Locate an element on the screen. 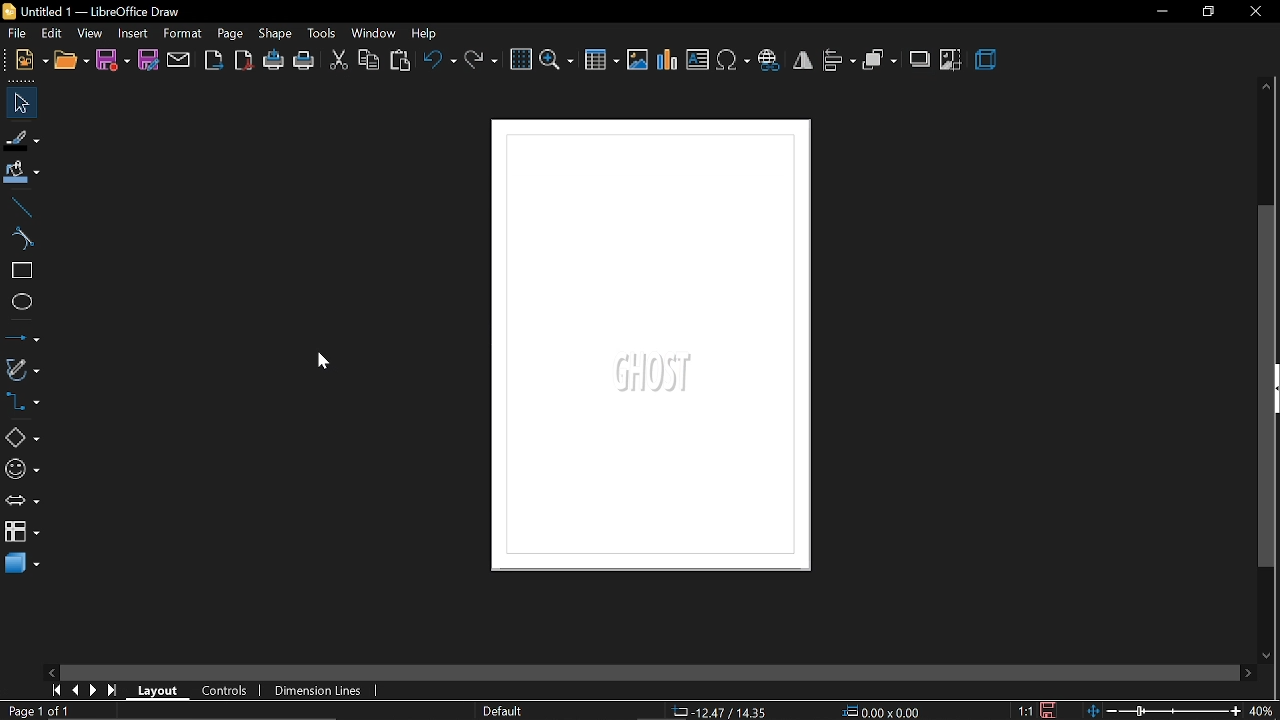 This screenshot has height=720, width=1280. help is located at coordinates (427, 35).